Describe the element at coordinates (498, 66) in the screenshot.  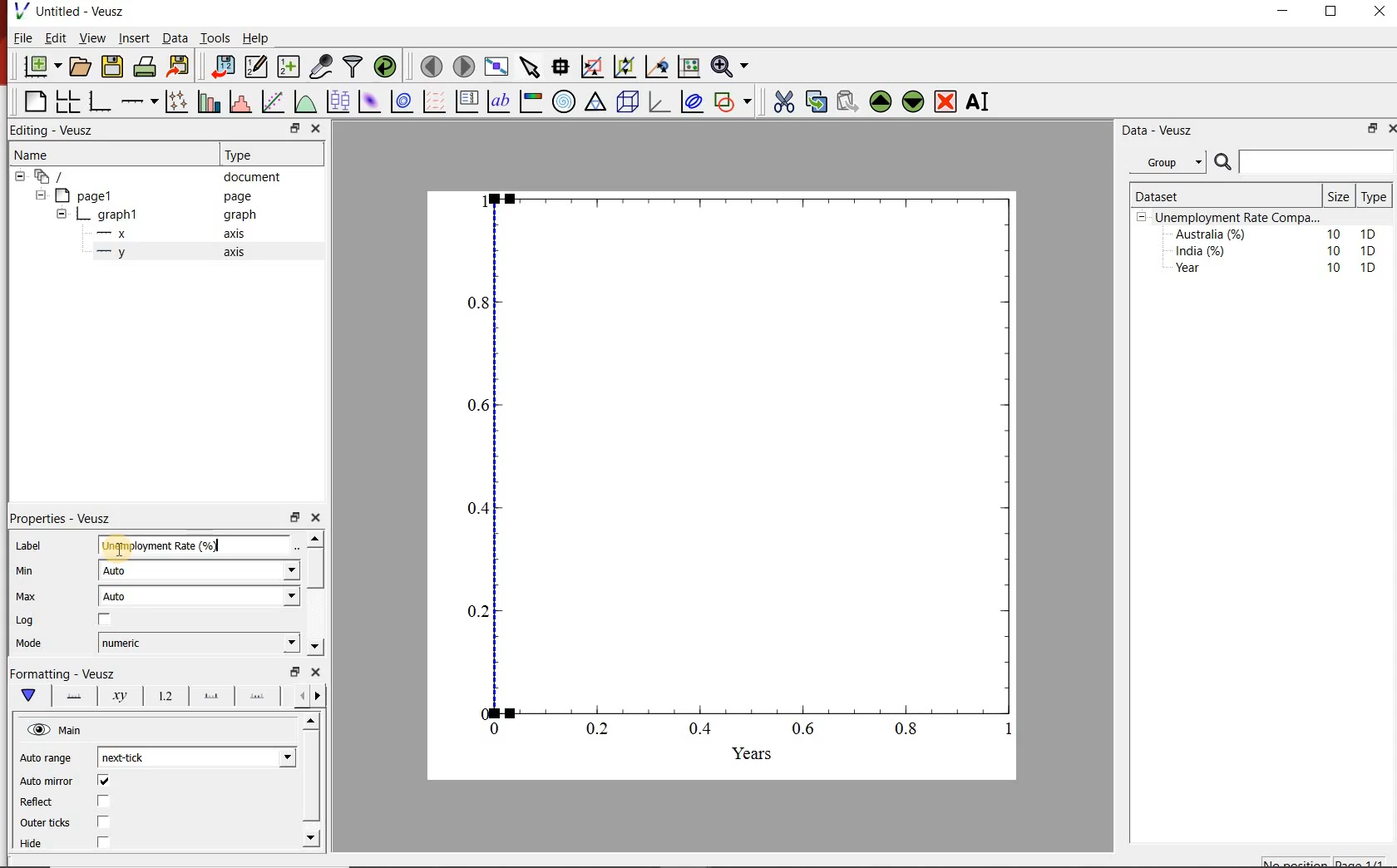
I see `view plot on full screen` at that location.